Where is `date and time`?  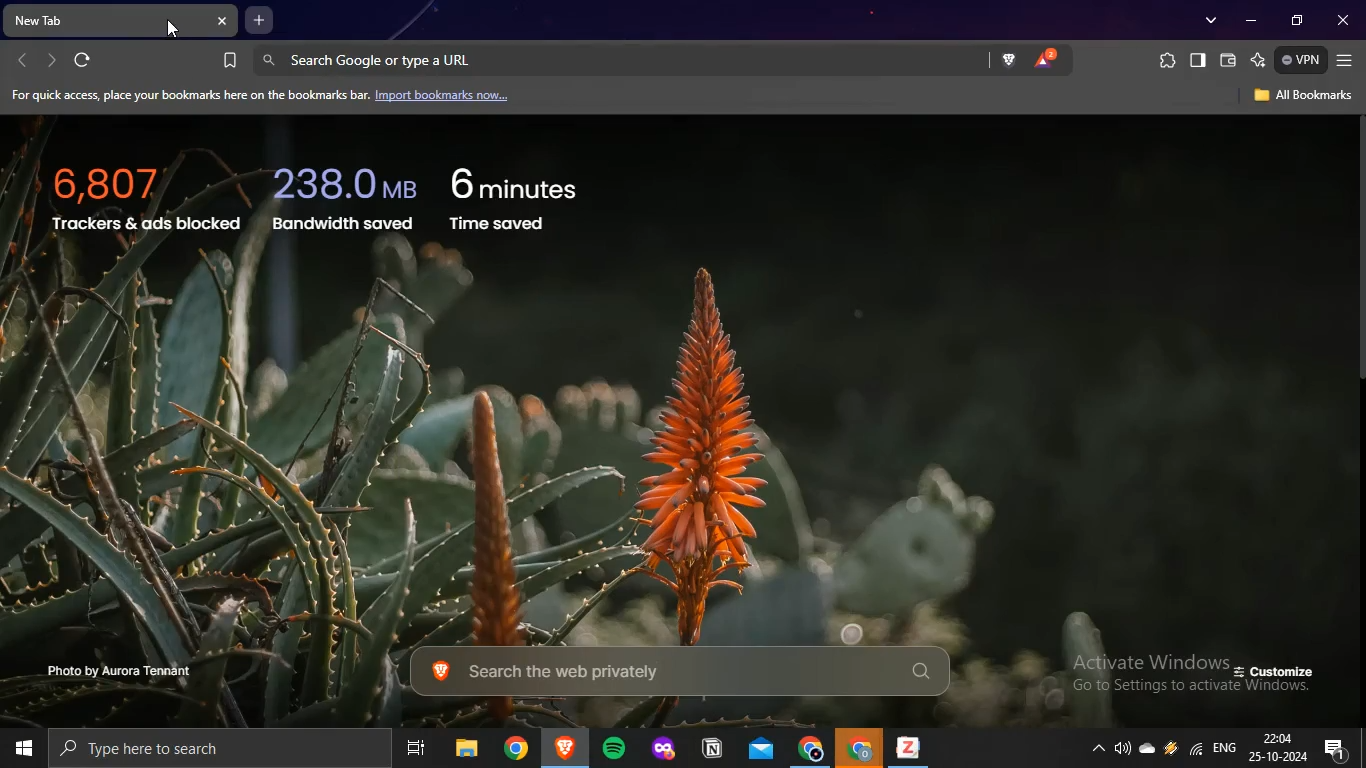 date and time is located at coordinates (1282, 745).